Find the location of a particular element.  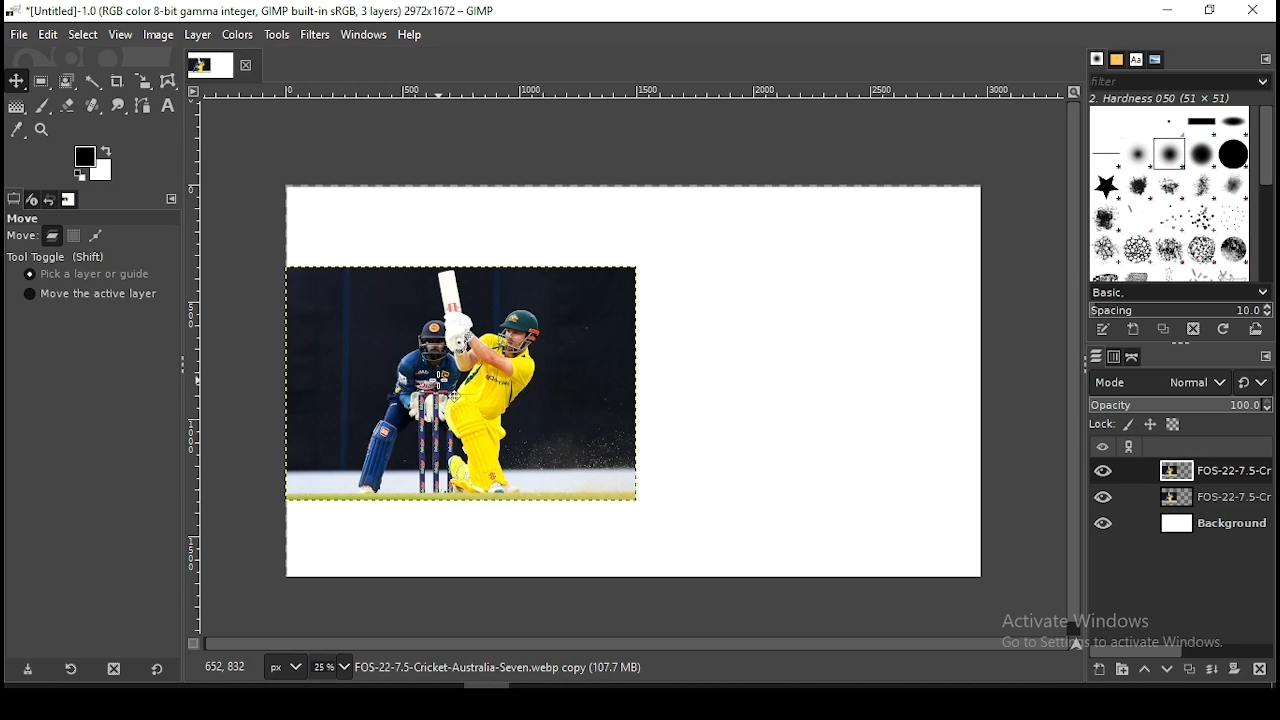

select is located at coordinates (84, 36).